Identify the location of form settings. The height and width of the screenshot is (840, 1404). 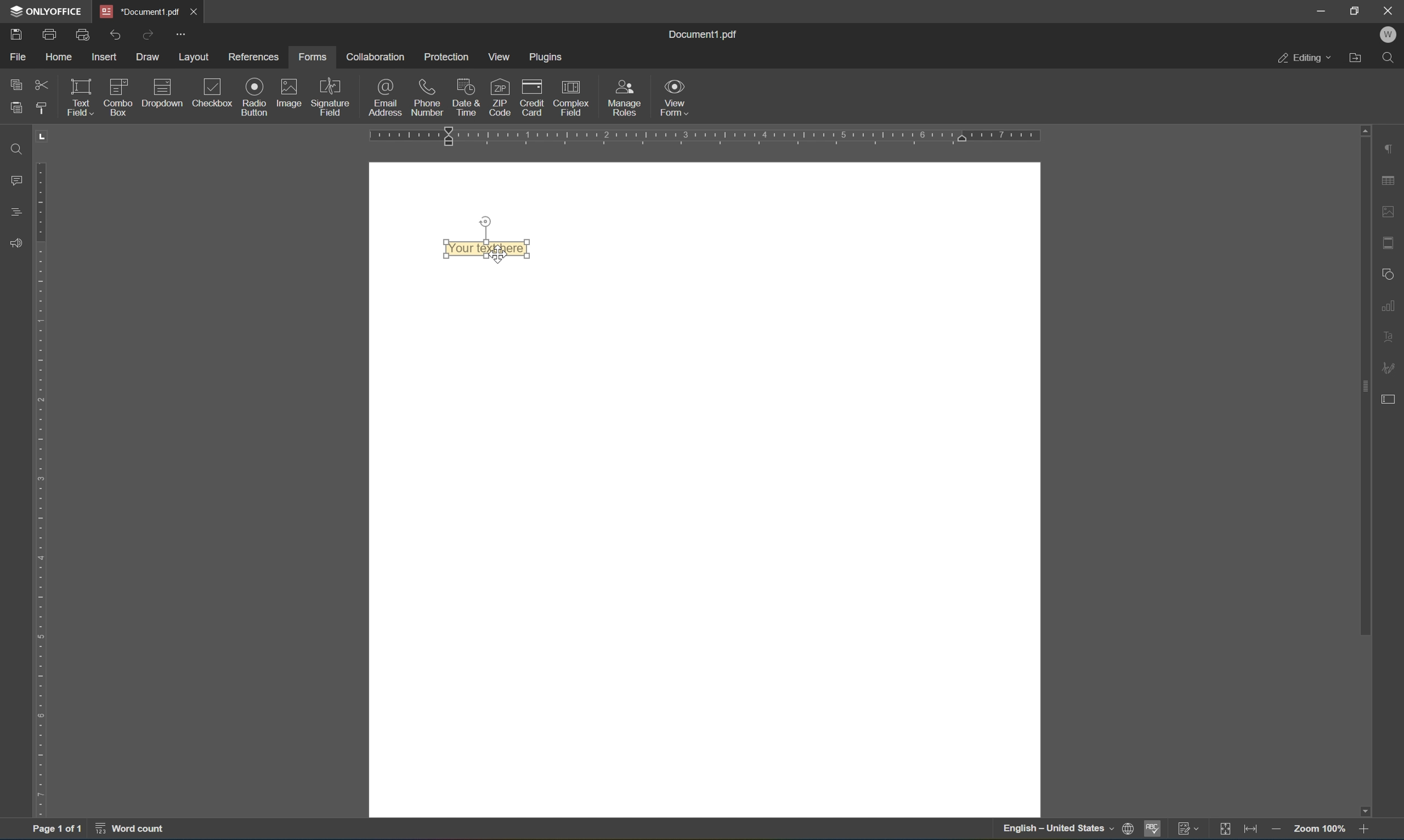
(1391, 398).